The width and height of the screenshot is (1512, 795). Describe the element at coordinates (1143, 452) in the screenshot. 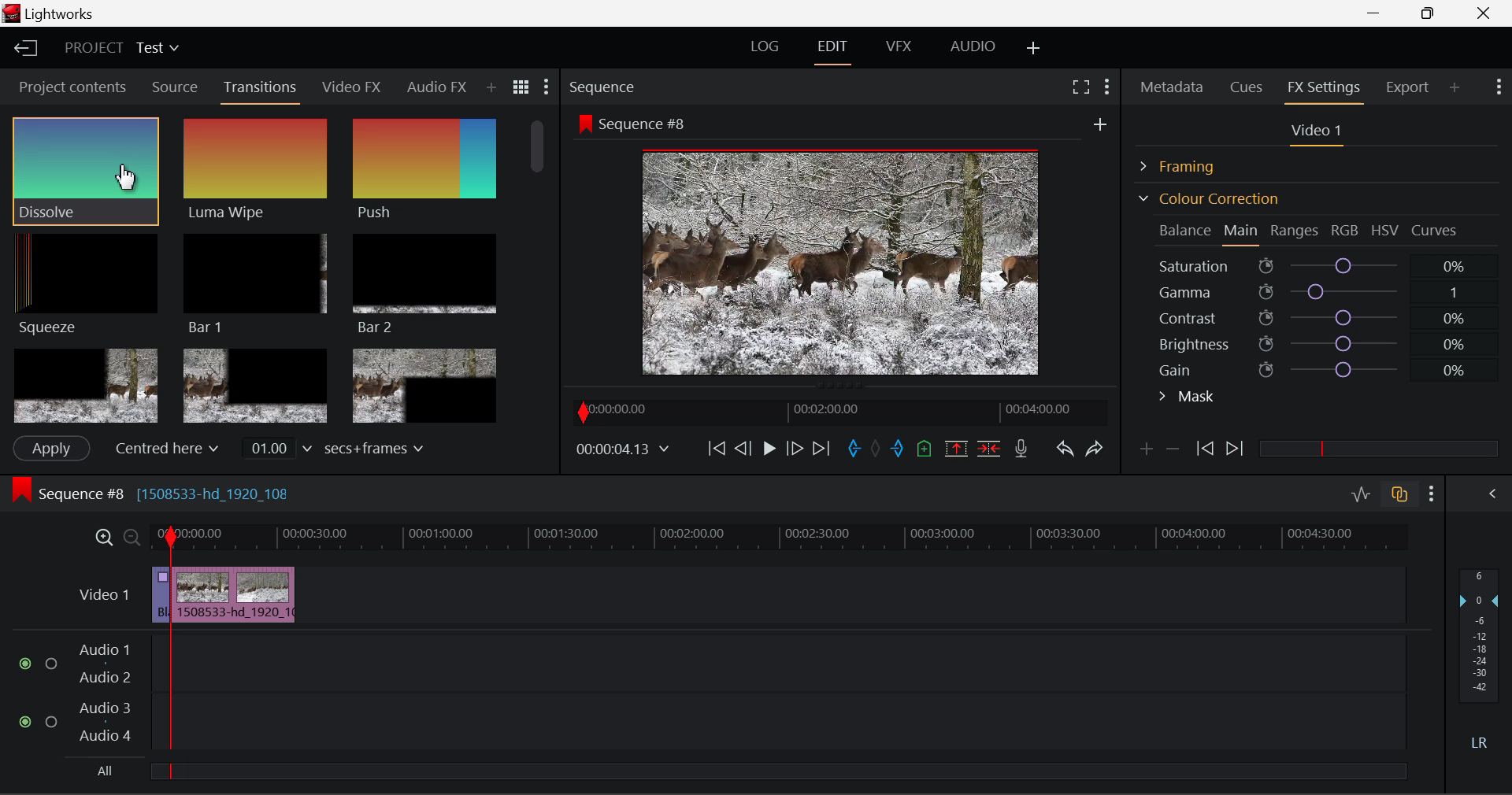

I see `Add keyframe` at that location.